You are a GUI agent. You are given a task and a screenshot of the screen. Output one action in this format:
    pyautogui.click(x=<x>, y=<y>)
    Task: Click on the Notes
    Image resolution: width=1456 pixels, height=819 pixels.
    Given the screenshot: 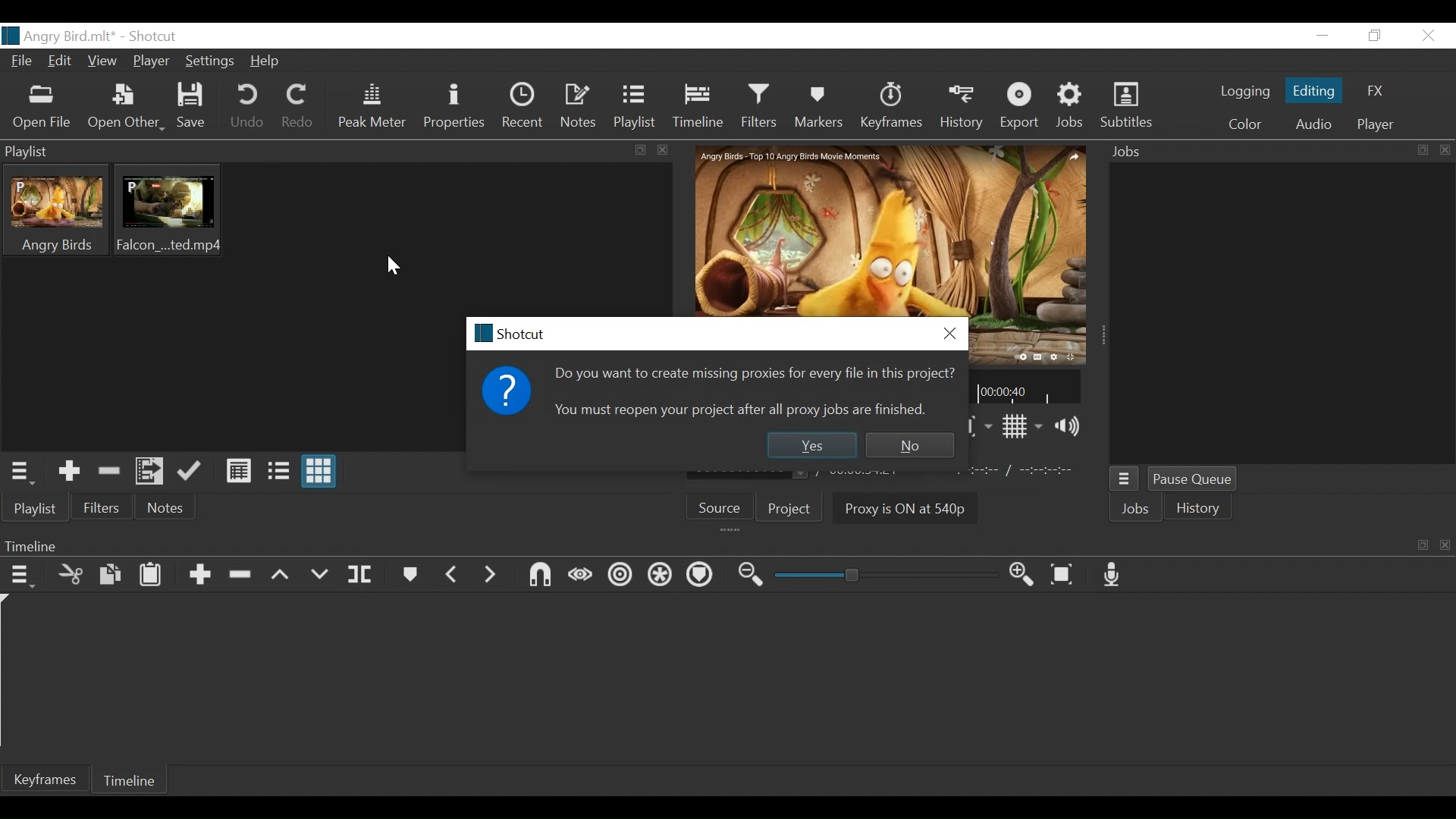 What is the action you would take?
    pyautogui.click(x=582, y=105)
    